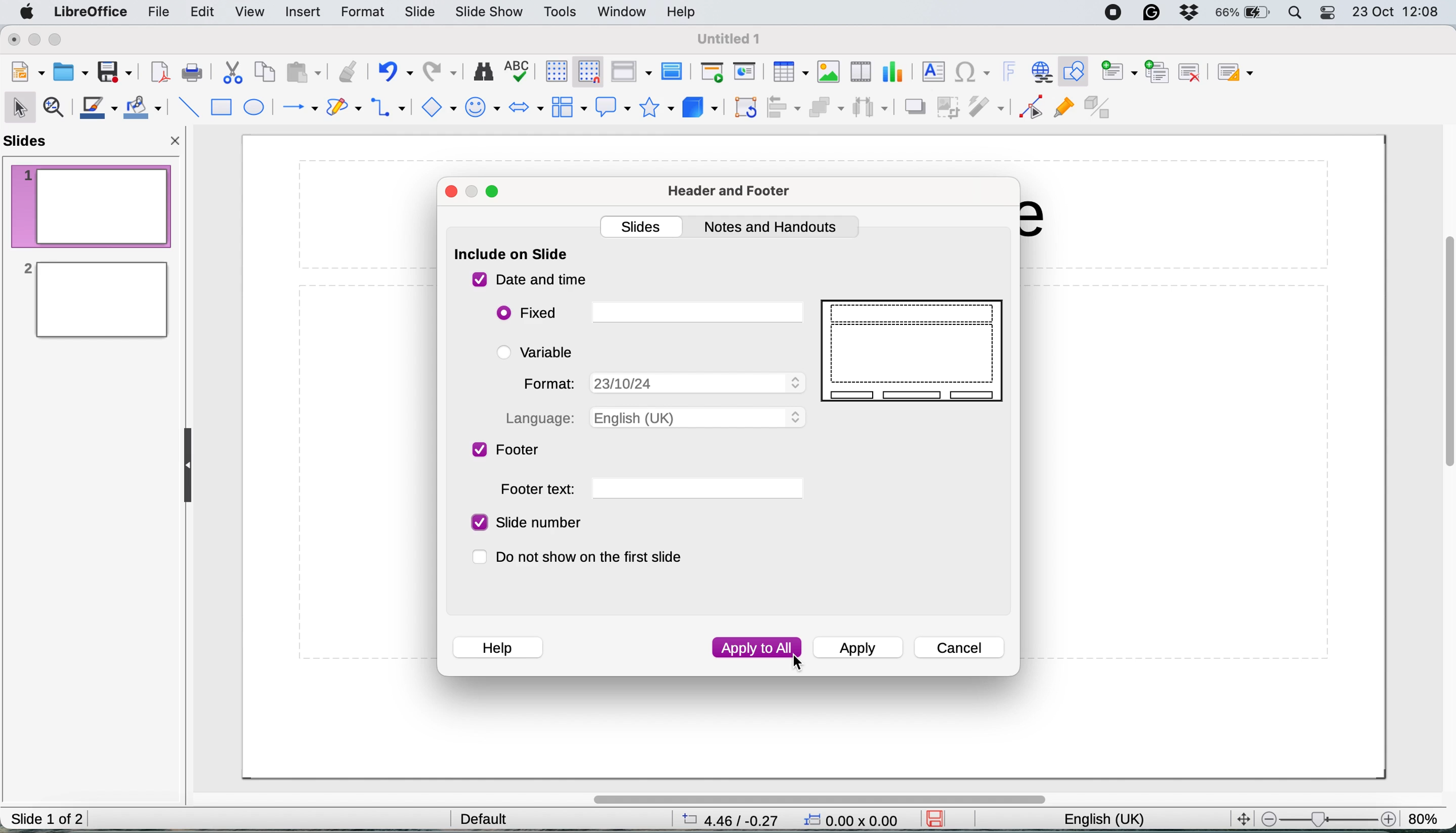  Describe the element at coordinates (1240, 818) in the screenshot. I see `fit to screen` at that location.